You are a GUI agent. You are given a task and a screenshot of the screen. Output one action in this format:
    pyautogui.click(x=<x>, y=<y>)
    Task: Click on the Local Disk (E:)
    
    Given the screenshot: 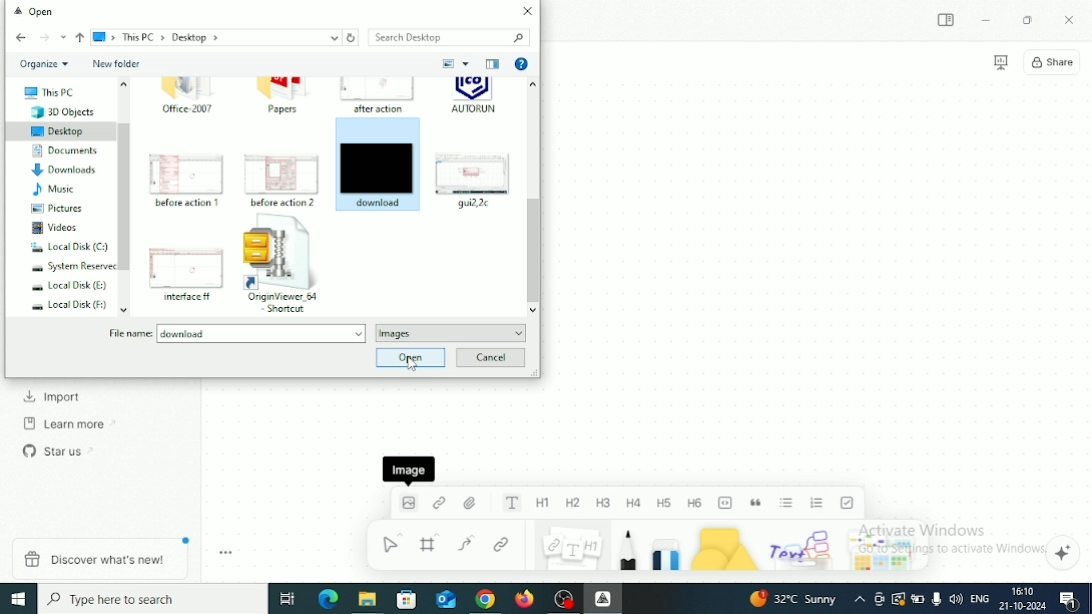 What is the action you would take?
    pyautogui.click(x=63, y=287)
    